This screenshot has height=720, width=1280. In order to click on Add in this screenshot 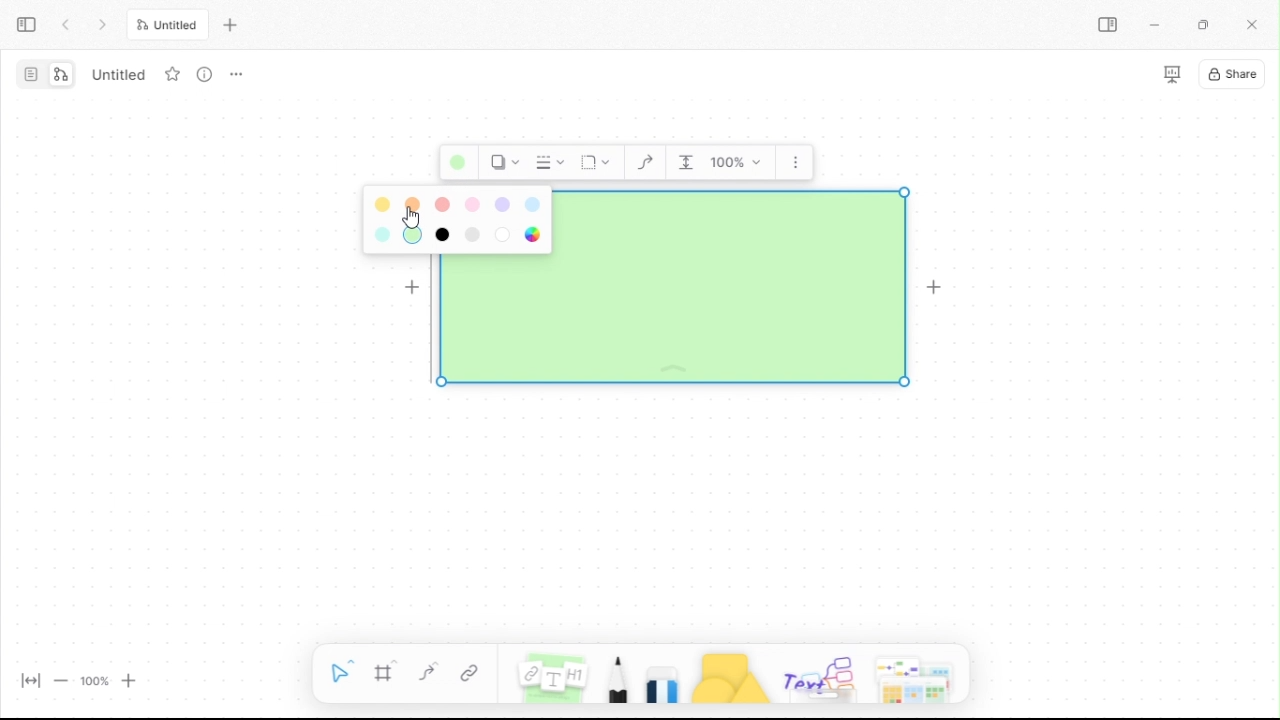, I will do `click(412, 288)`.